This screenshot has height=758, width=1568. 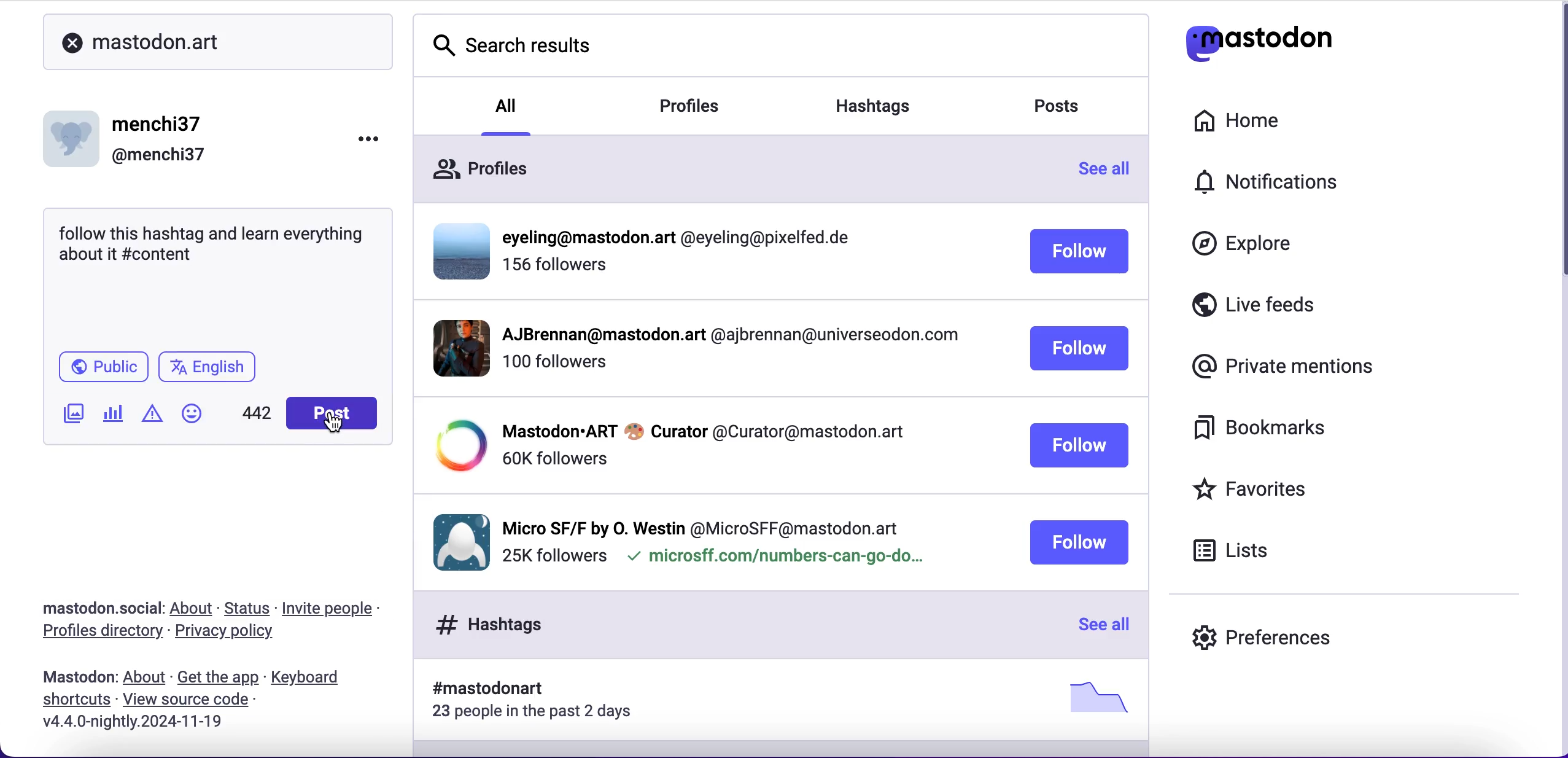 What do you see at coordinates (480, 689) in the screenshot?
I see `hashtag` at bounding box center [480, 689].